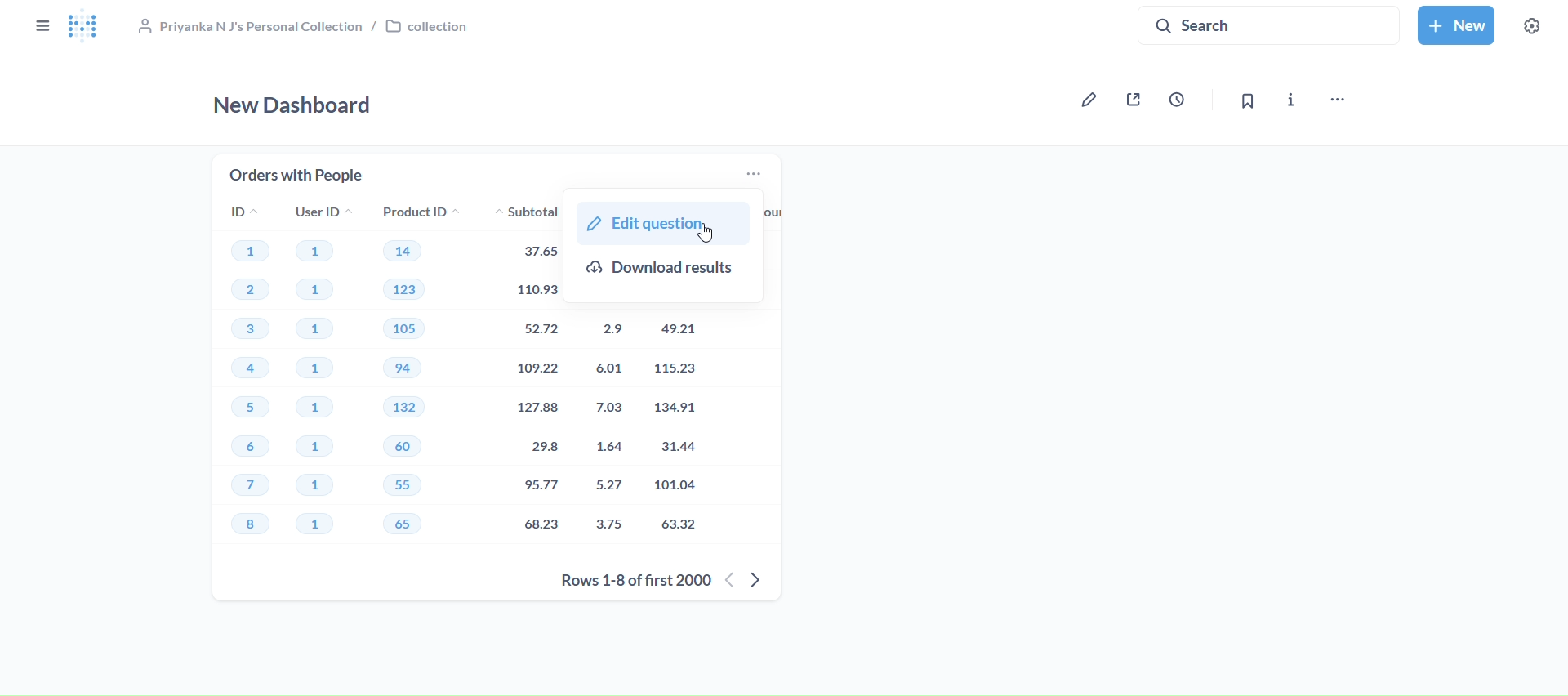 Image resolution: width=1568 pixels, height=696 pixels. What do you see at coordinates (1289, 100) in the screenshot?
I see `info` at bounding box center [1289, 100].